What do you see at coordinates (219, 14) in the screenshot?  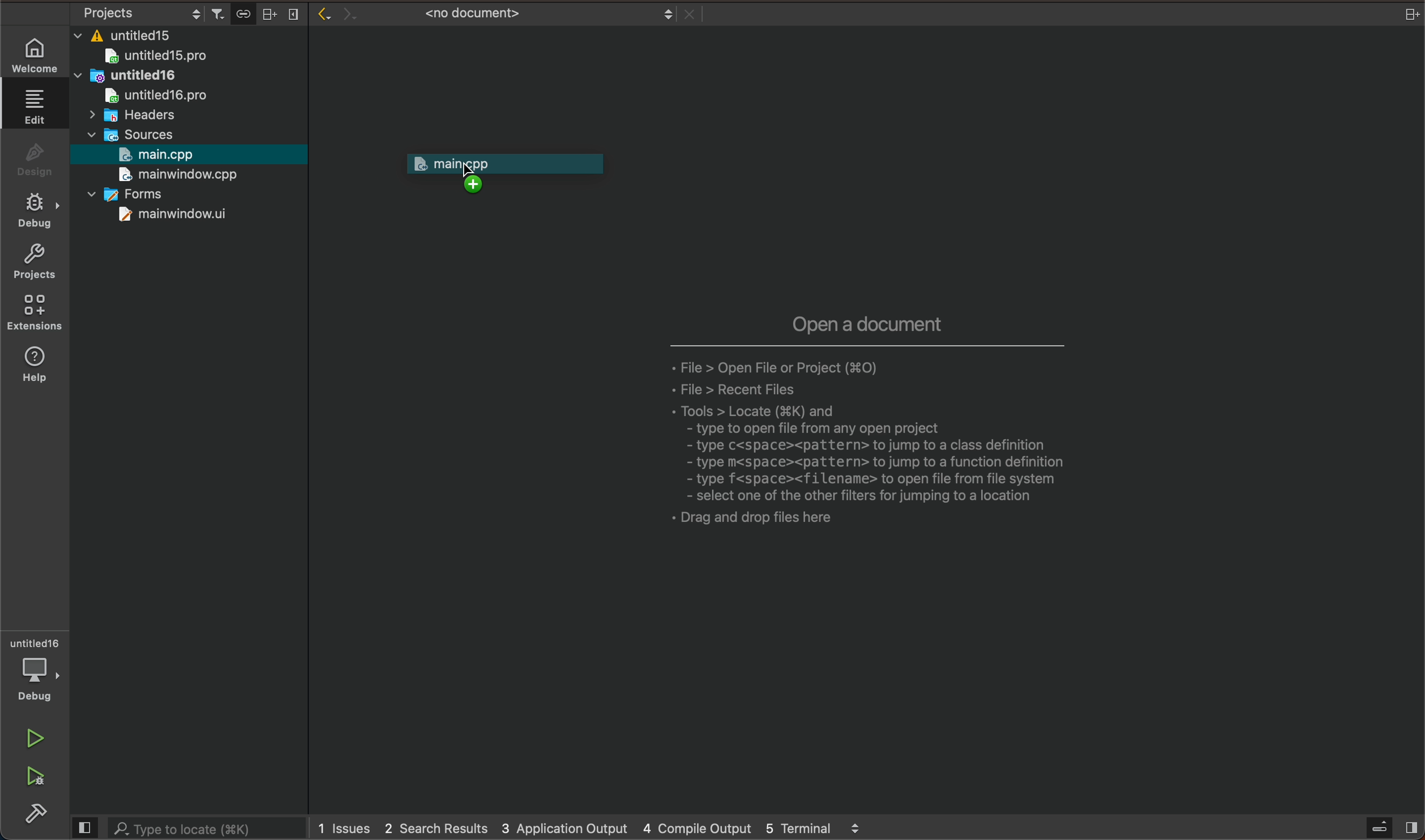 I see `filter` at bounding box center [219, 14].